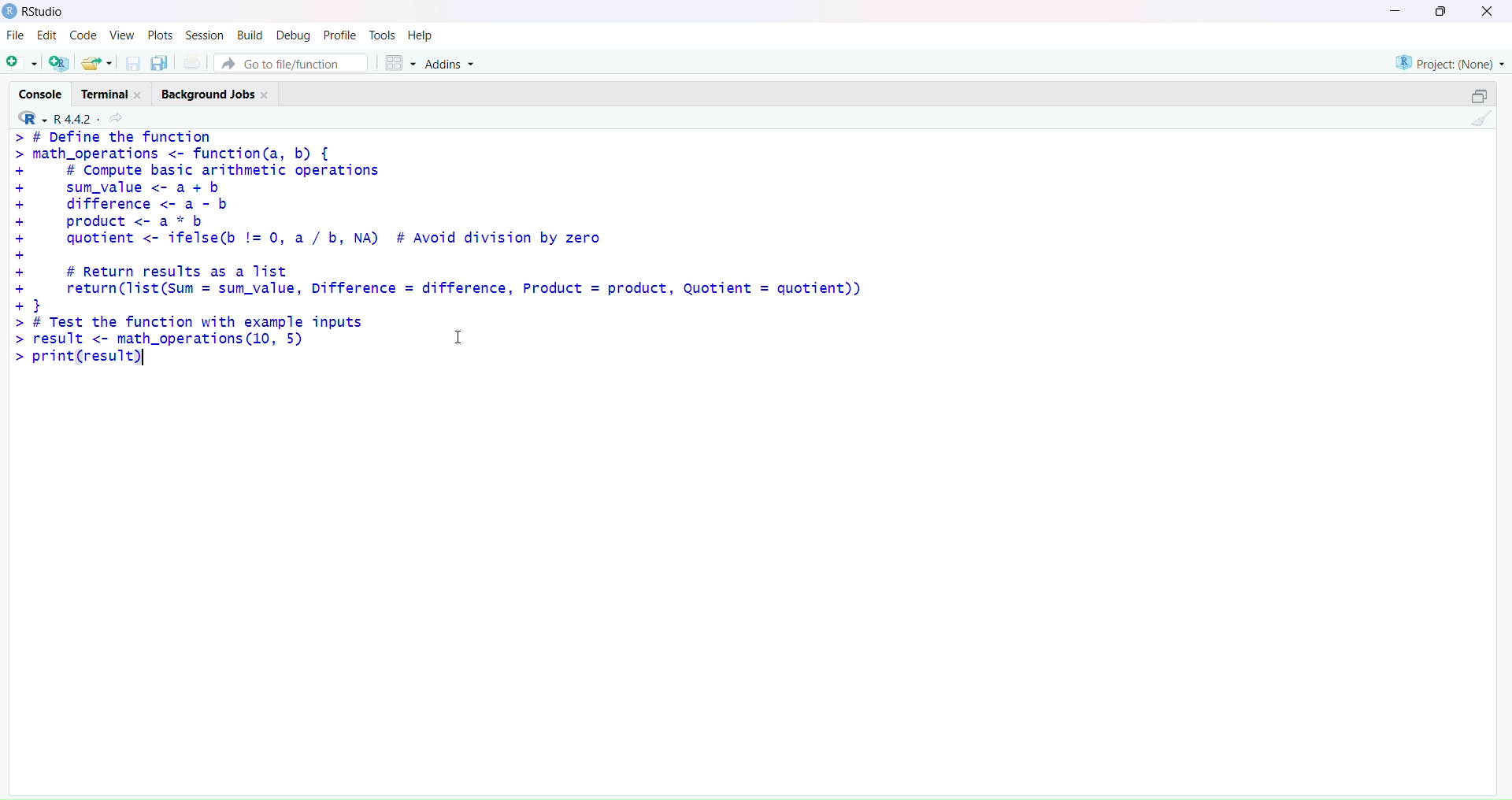 The image size is (1512, 800). Describe the element at coordinates (292, 62) in the screenshot. I see `Go to file/function` at that location.